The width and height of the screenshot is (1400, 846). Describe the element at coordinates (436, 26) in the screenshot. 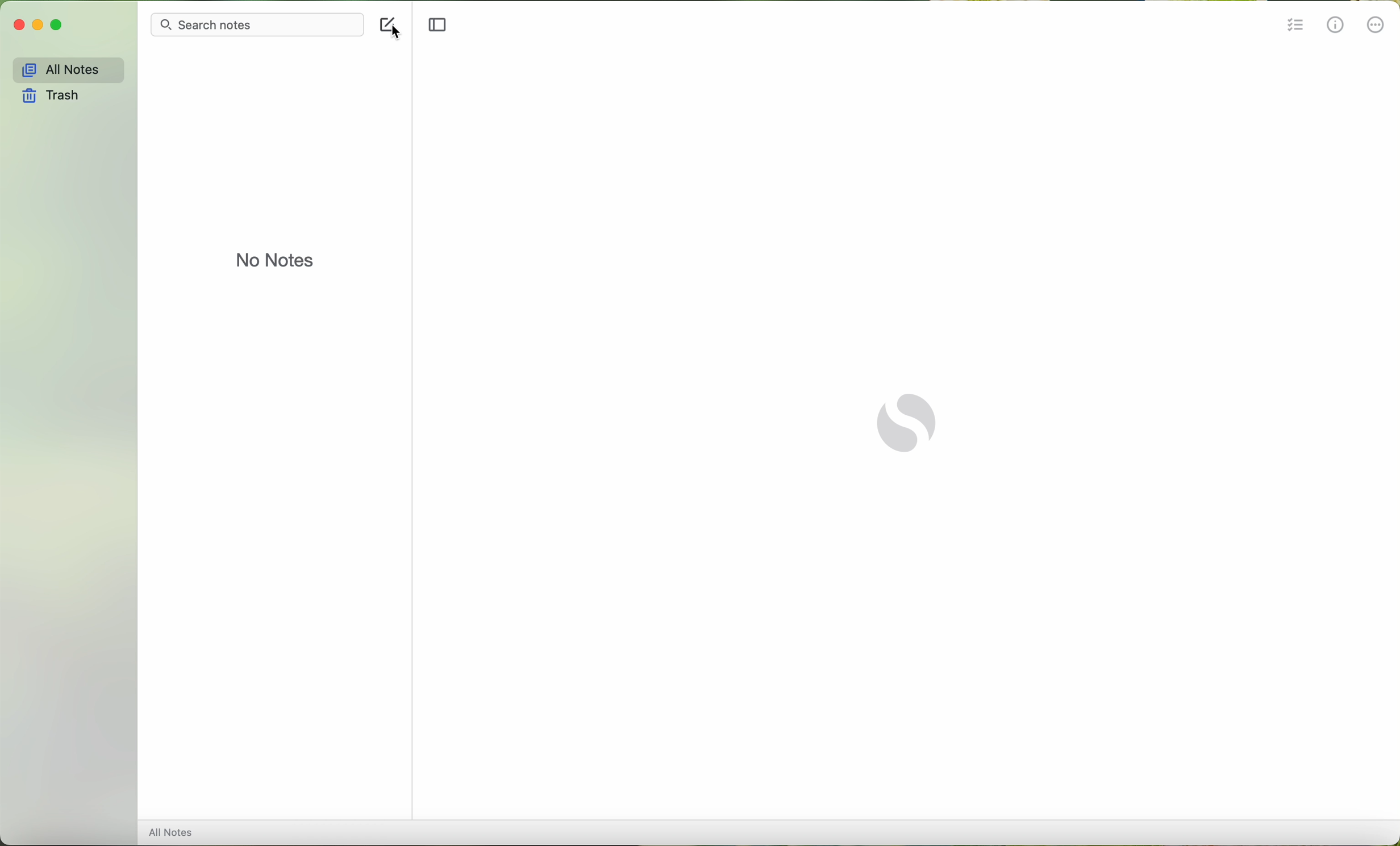

I see `toggle sidebr` at that location.